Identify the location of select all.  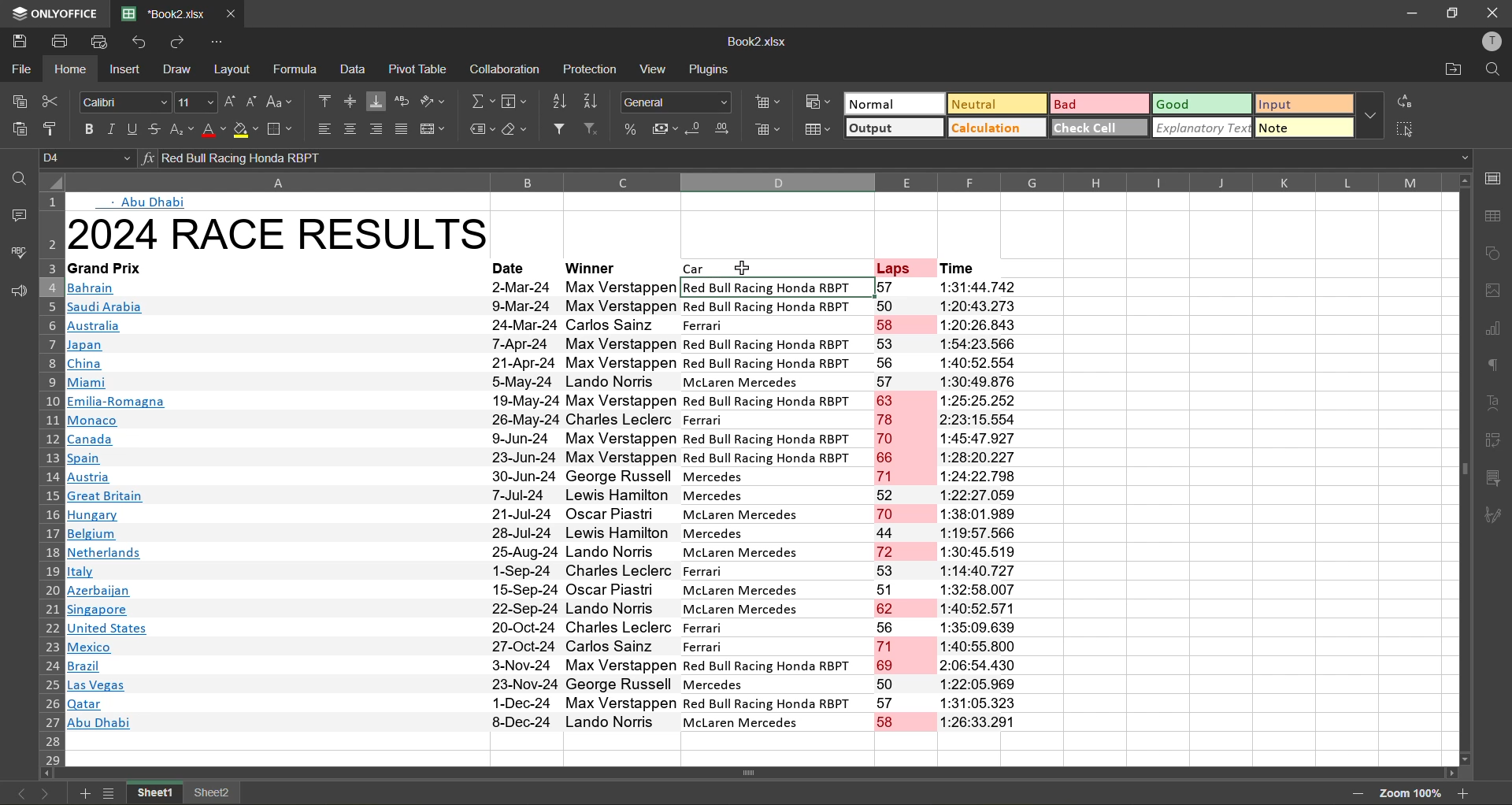
(1405, 129).